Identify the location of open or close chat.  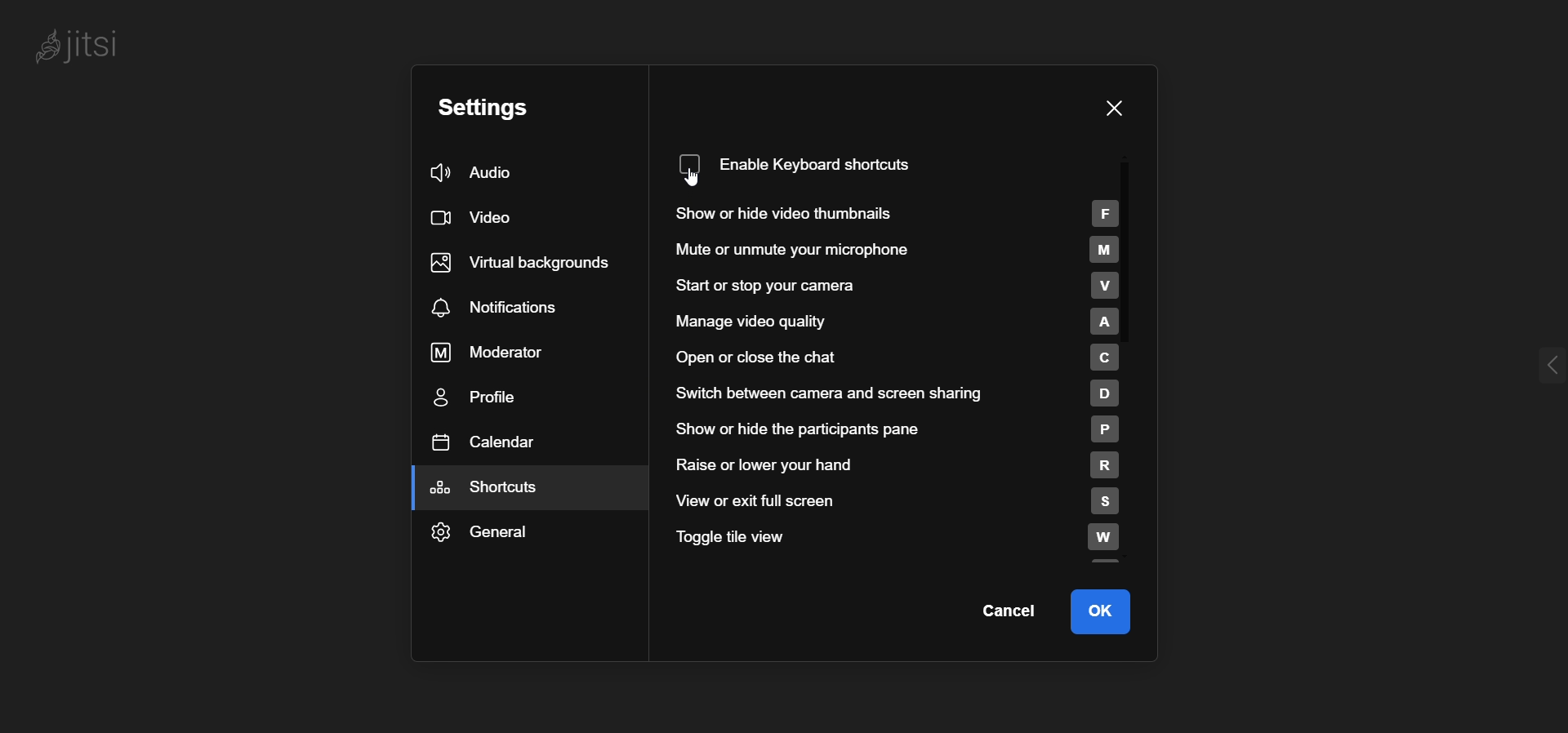
(901, 356).